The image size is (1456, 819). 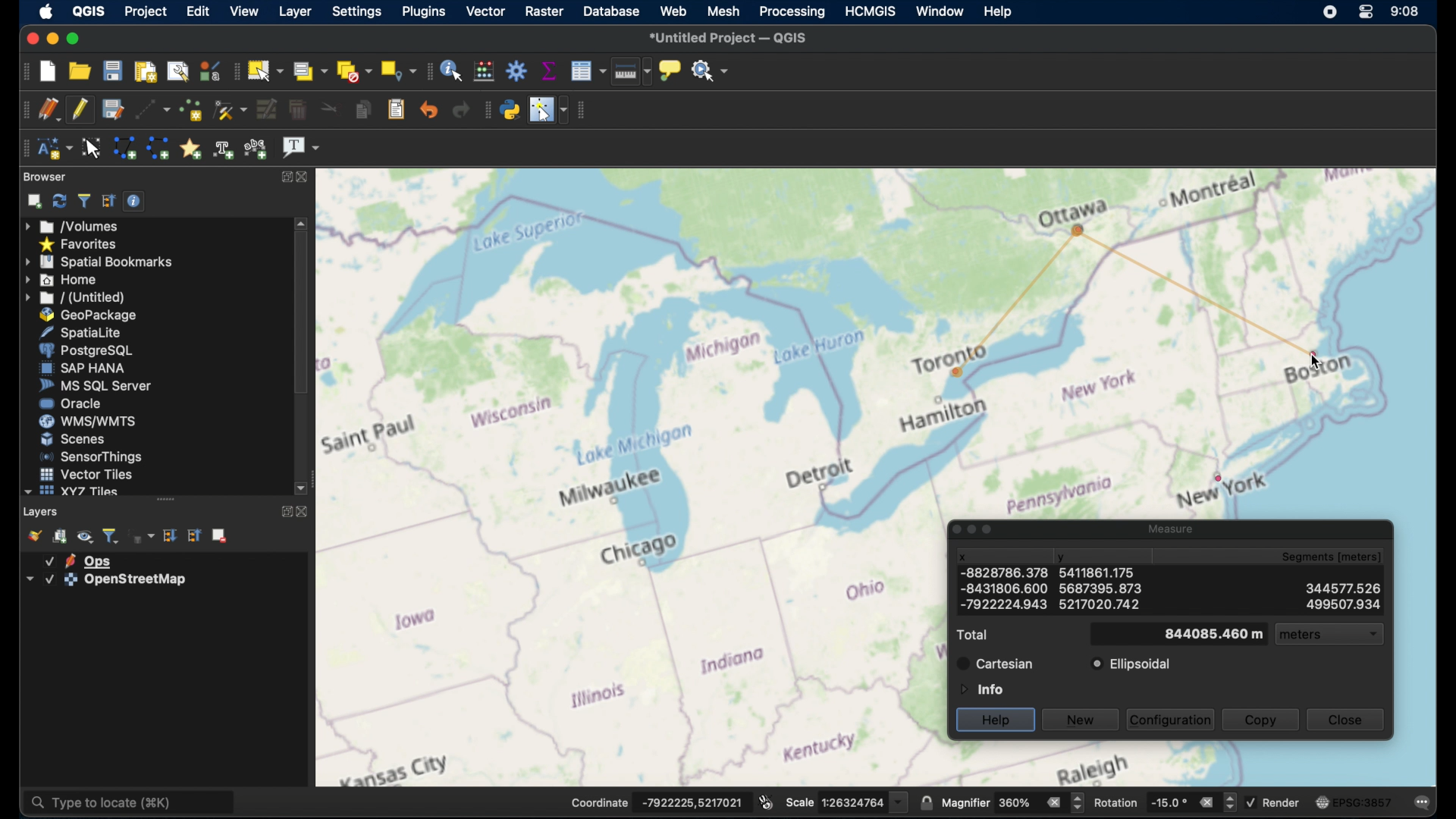 I want to click on digitize with segment, so click(x=152, y=108).